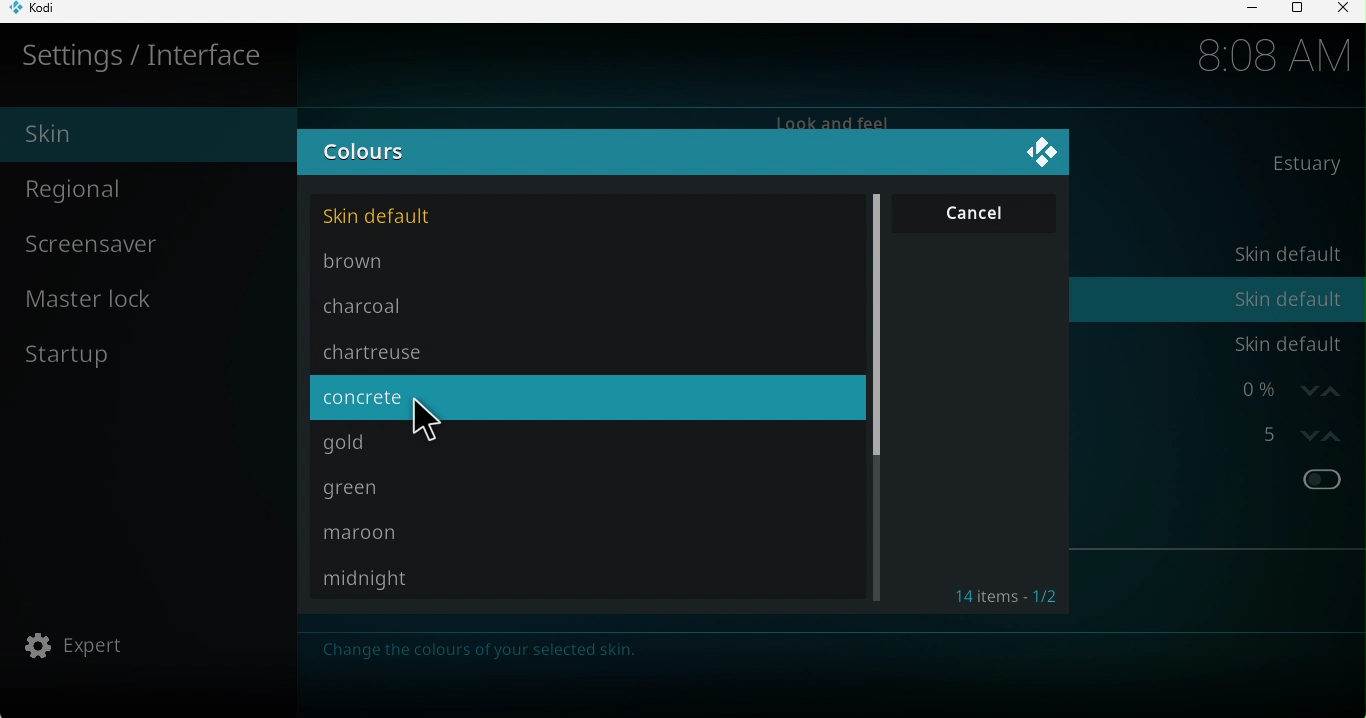  What do you see at coordinates (589, 214) in the screenshot?
I see `Skin default` at bounding box center [589, 214].